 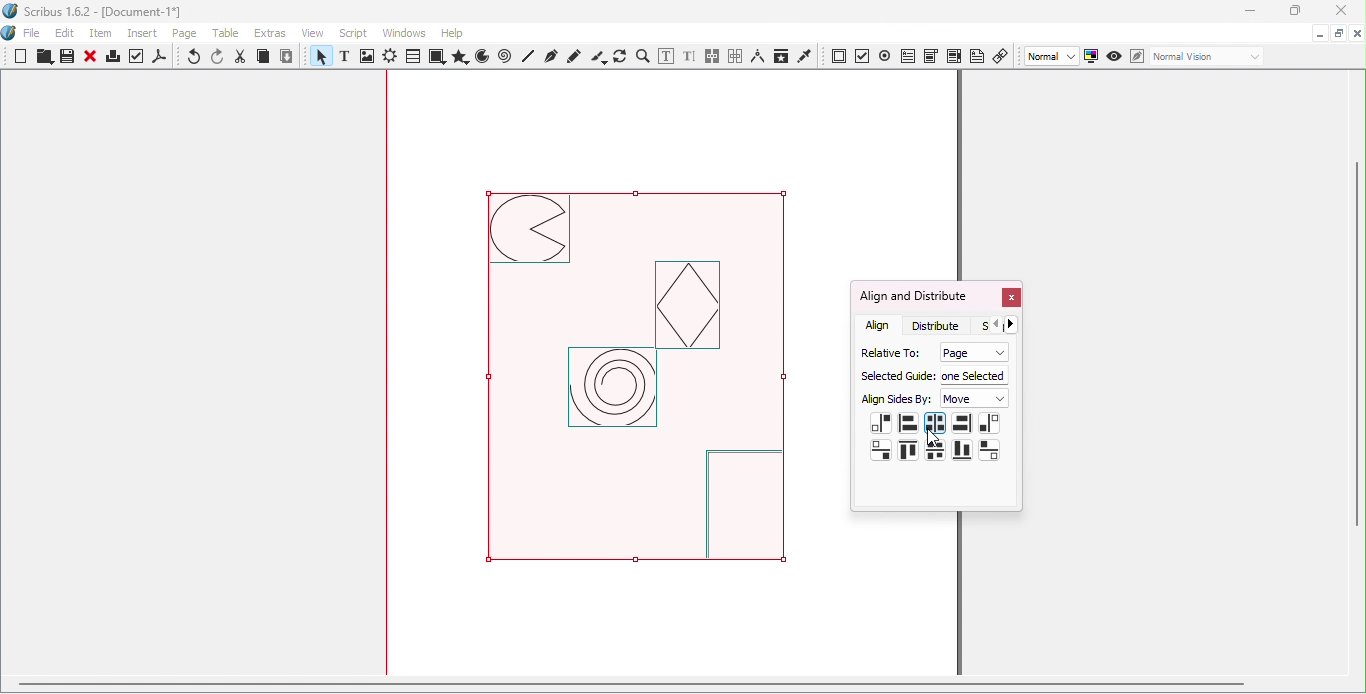 What do you see at coordinates (879, 325) in the screenshot?
I see `Align` at bounding box center [879, 325].